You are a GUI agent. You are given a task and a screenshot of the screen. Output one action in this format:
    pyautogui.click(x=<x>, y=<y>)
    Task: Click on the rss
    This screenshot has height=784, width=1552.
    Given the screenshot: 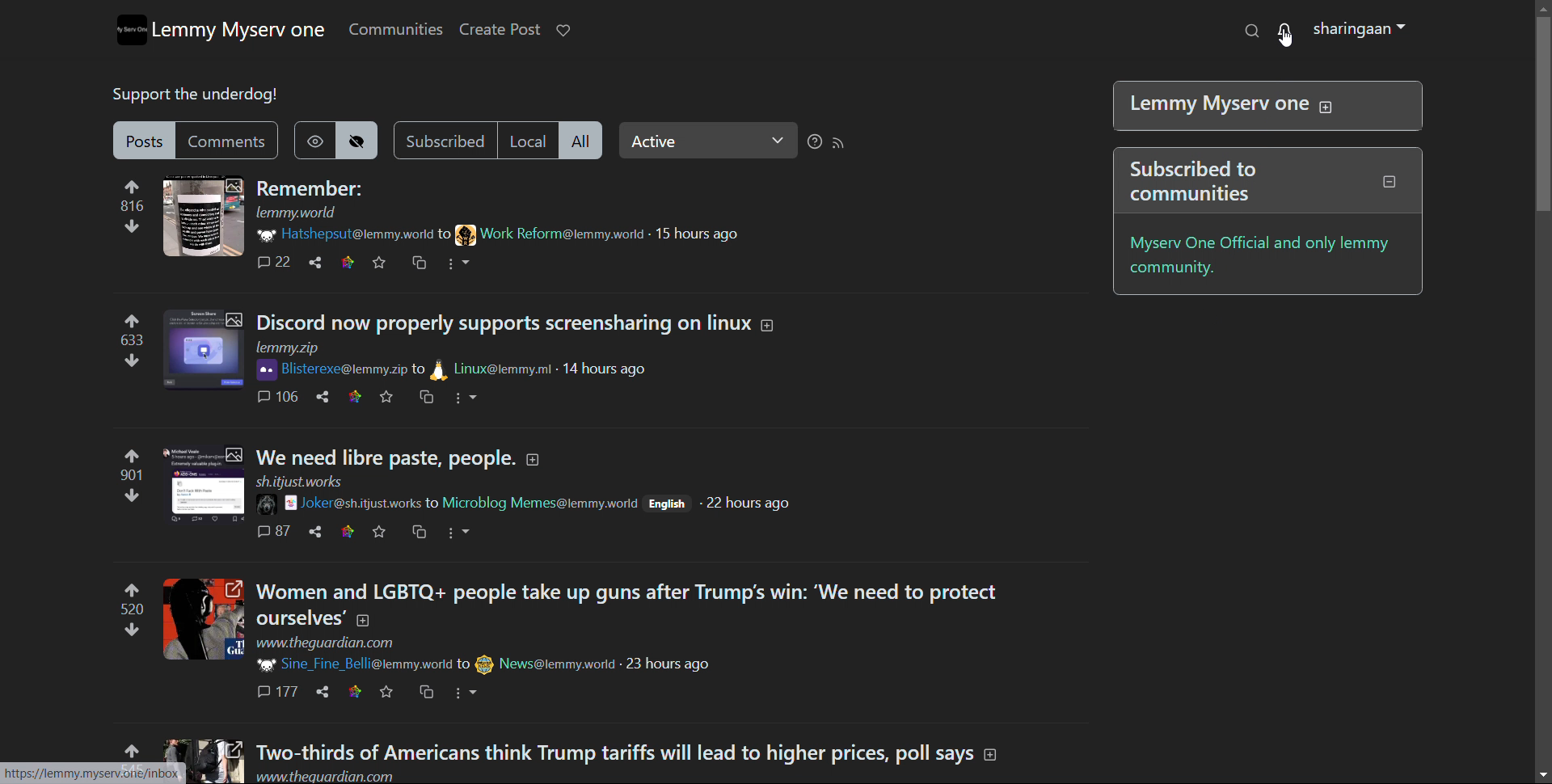 What is the action you would take?
    pyautogui.click(x=840, y=144)
    